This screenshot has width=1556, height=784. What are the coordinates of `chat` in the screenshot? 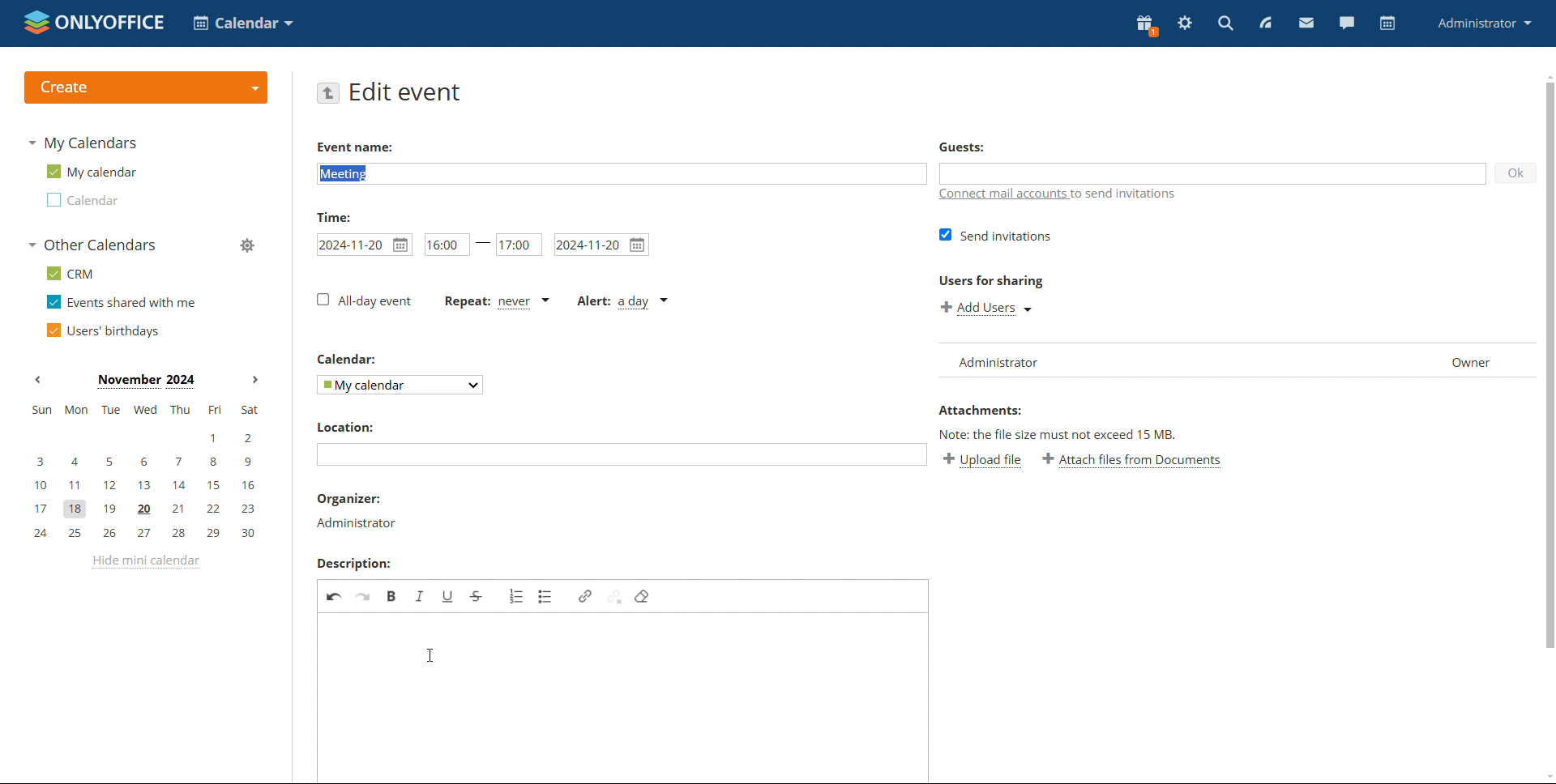 It's located at (1346, 23).